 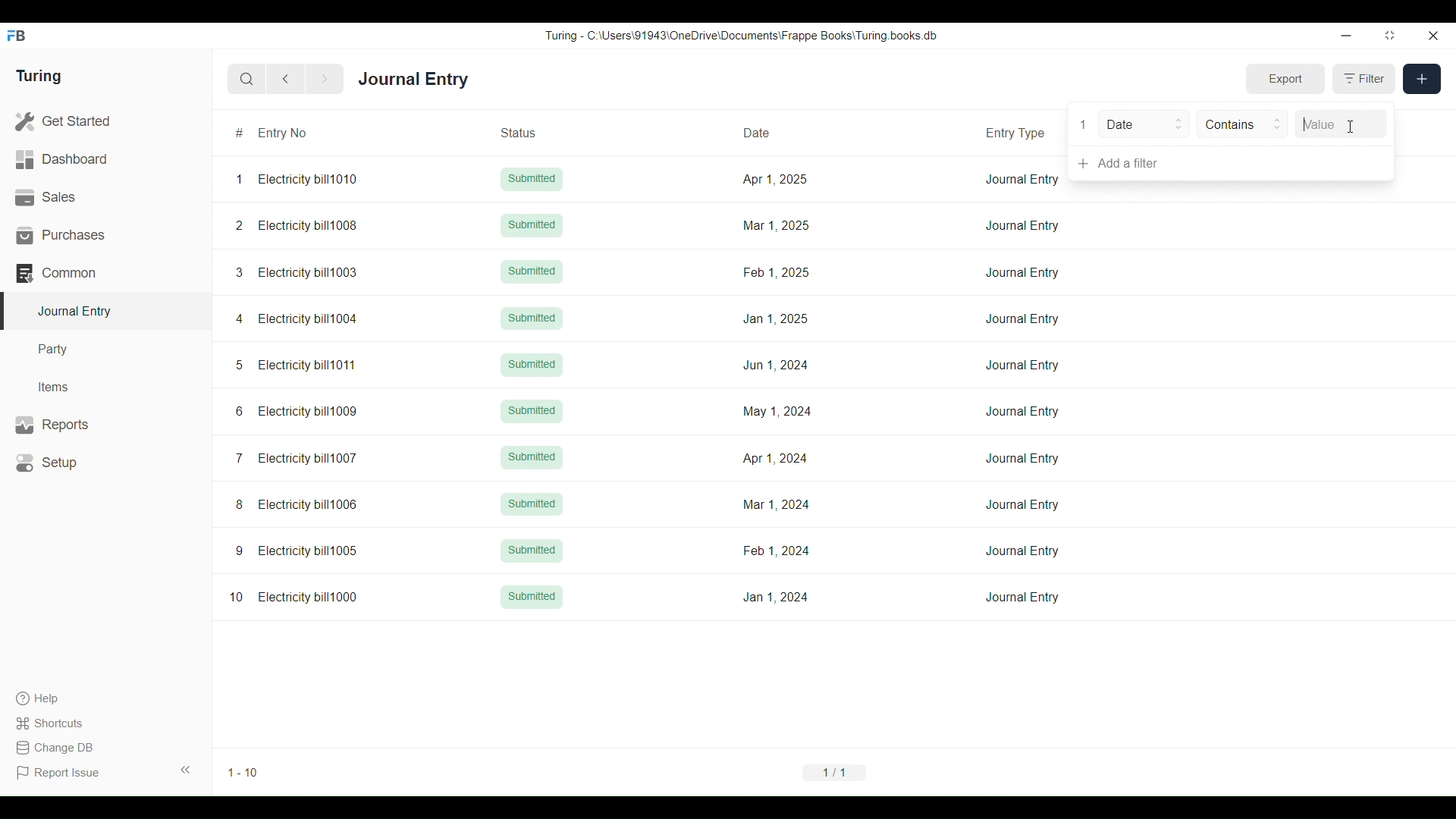 What do you see at coordinates (1422, 79) in the screenshot?
I see `New entry` at bounding box center [1422, 79].